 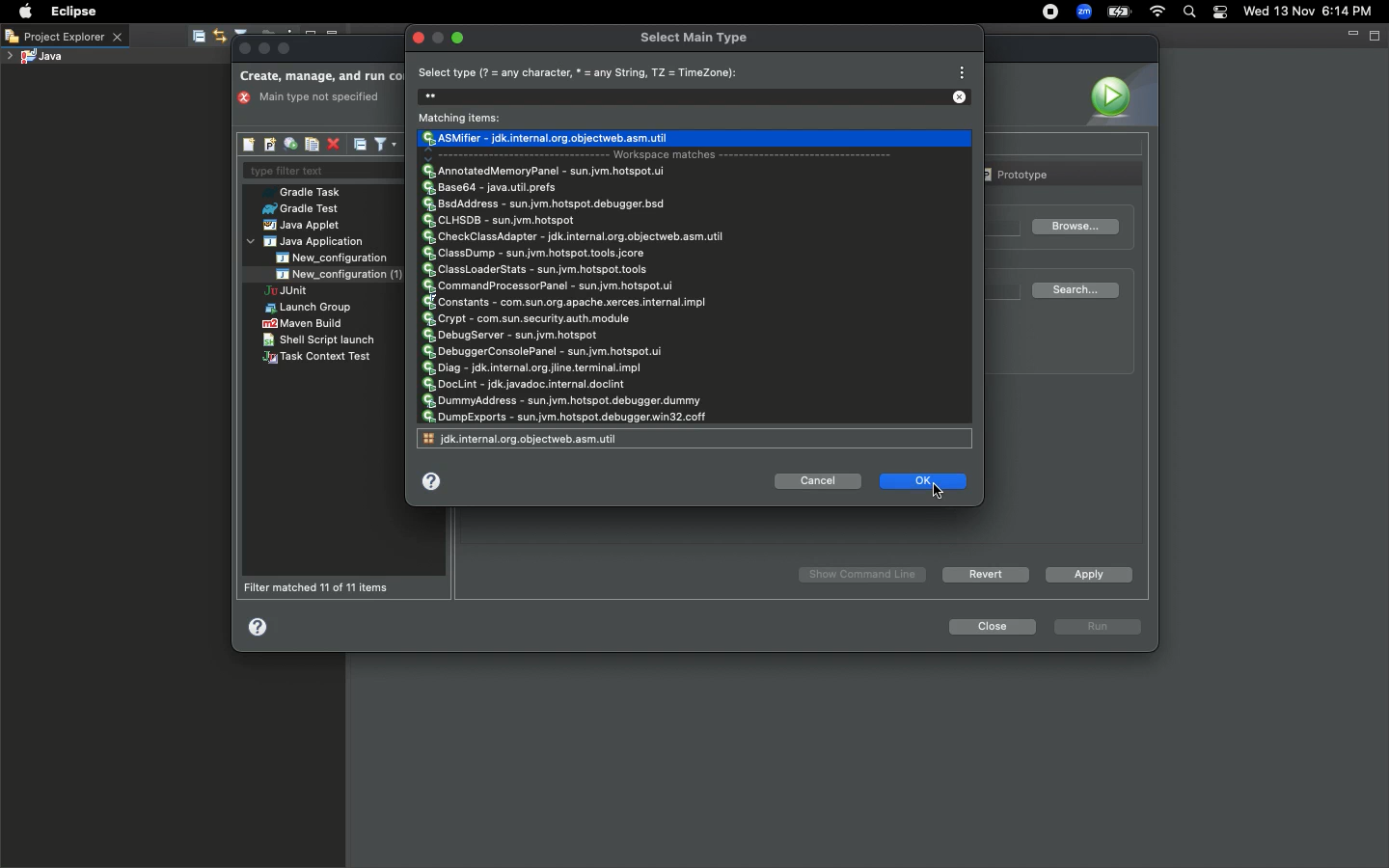 I want to click on Recording, so click(x=1049, y=12).